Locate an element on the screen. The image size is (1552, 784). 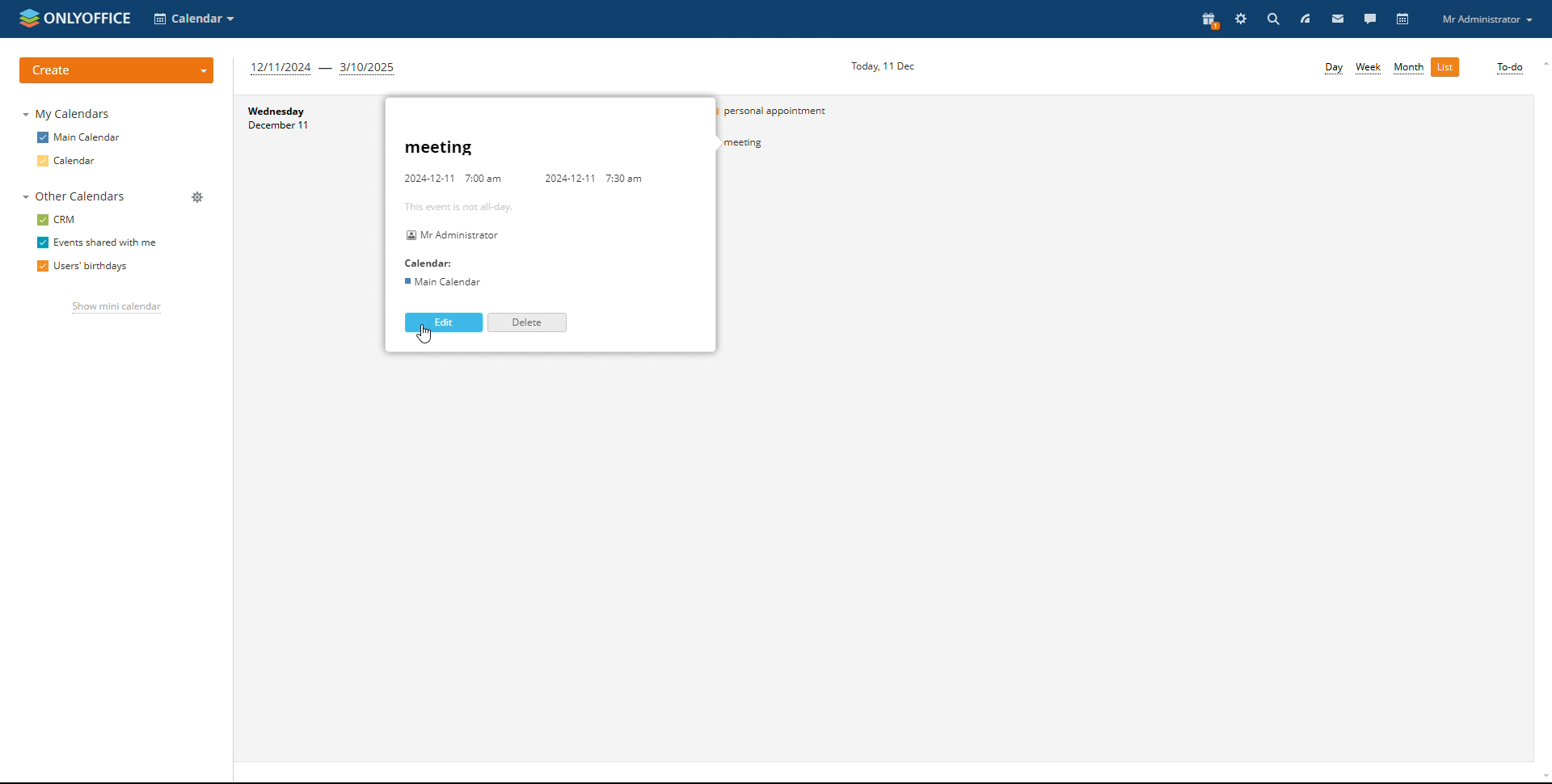
logo is located at coordinates (74, 16).